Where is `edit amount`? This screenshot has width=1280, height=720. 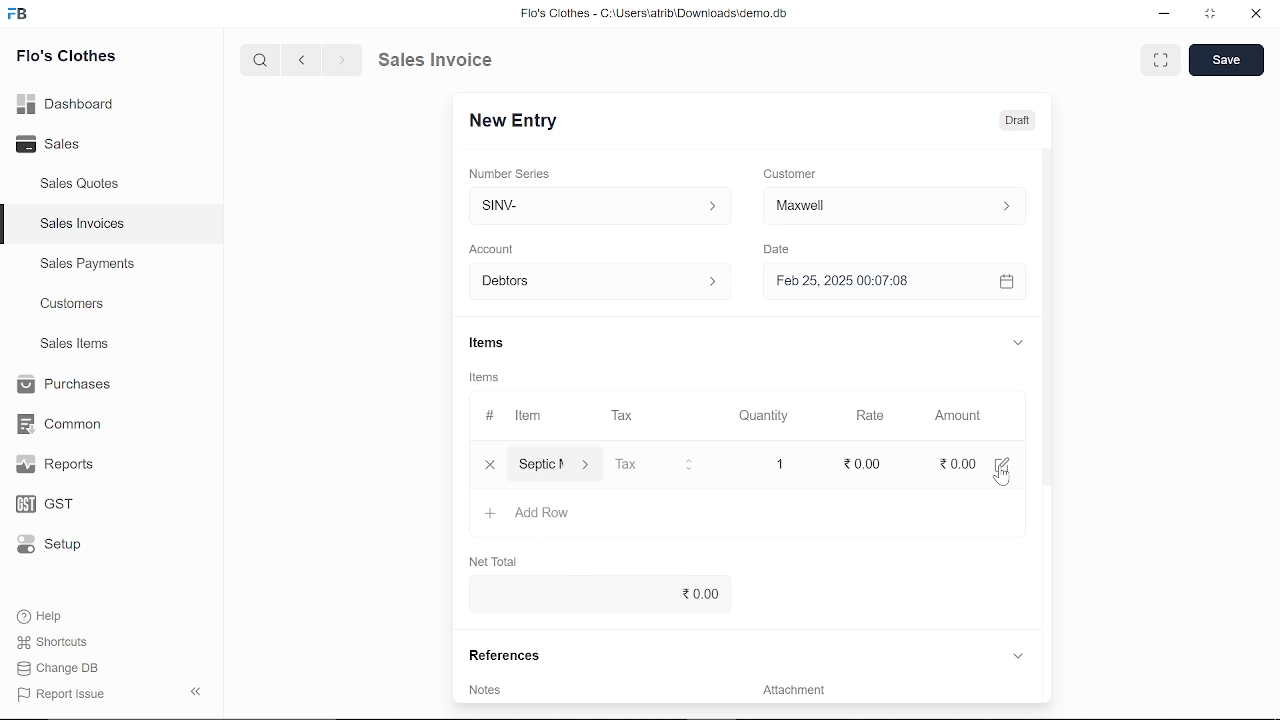 edit amount is located at coordinates (1003, 463).